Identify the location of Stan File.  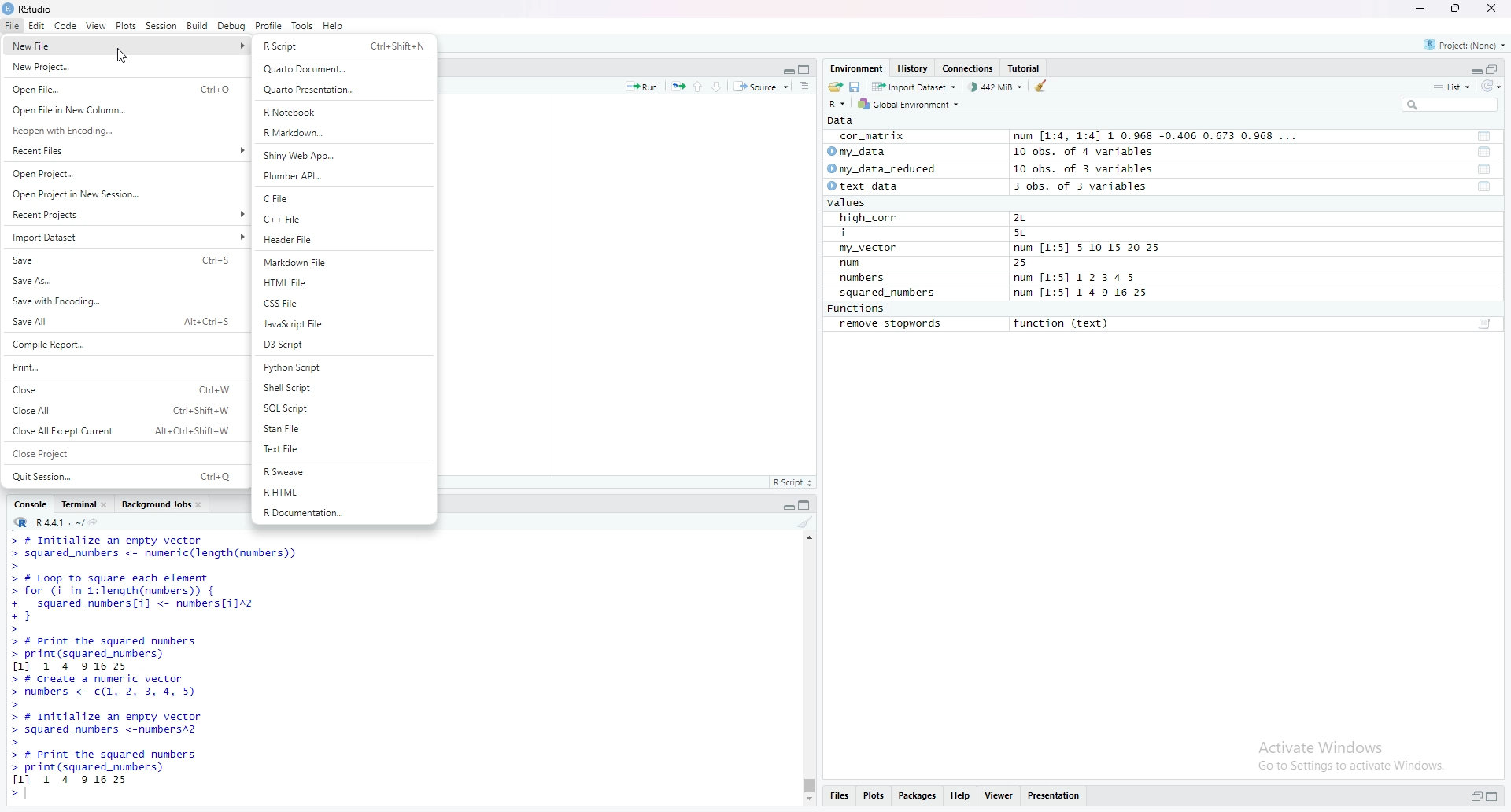
(342, 430).